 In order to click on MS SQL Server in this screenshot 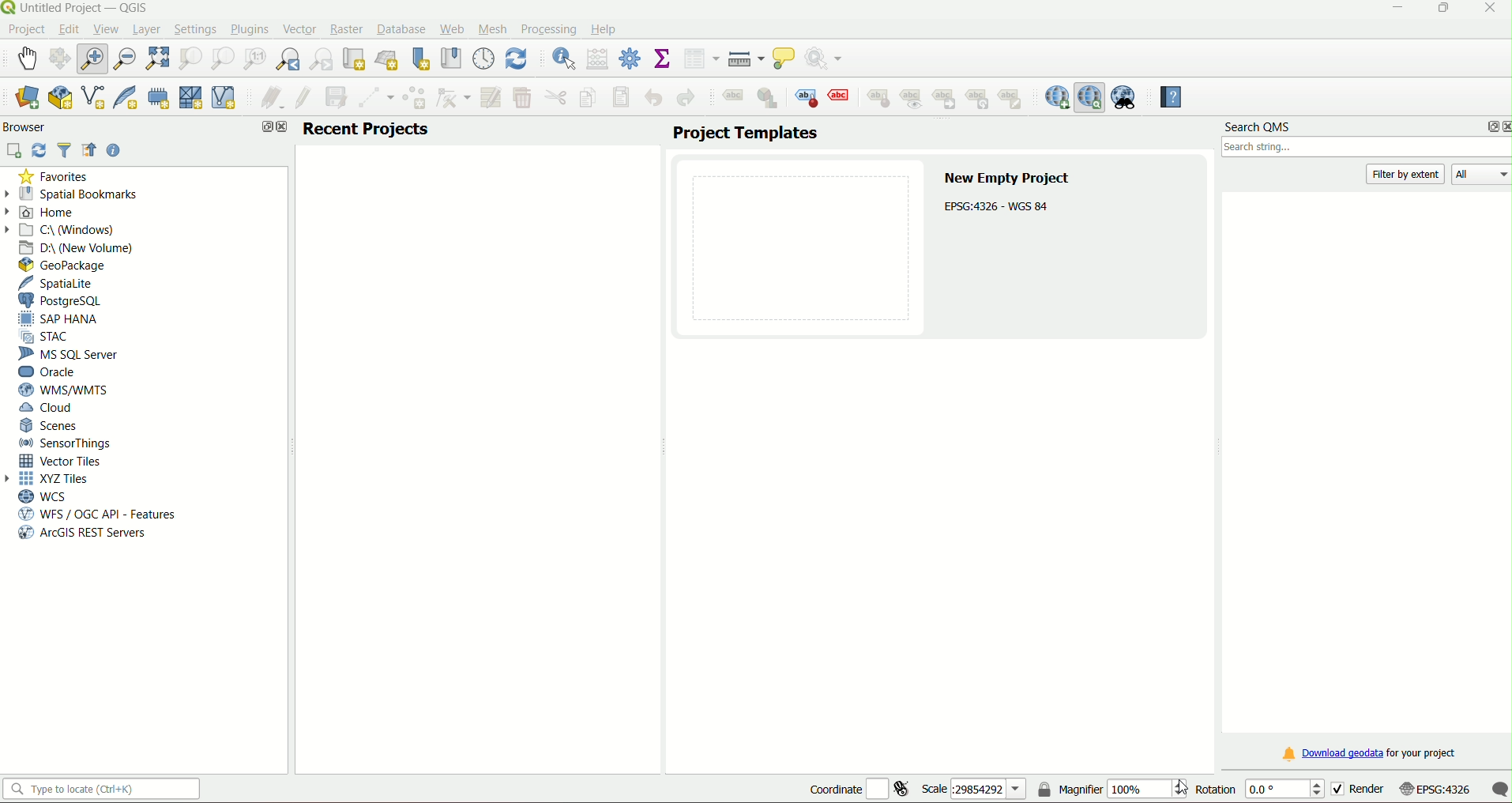, I will do `click(70, 355)`.